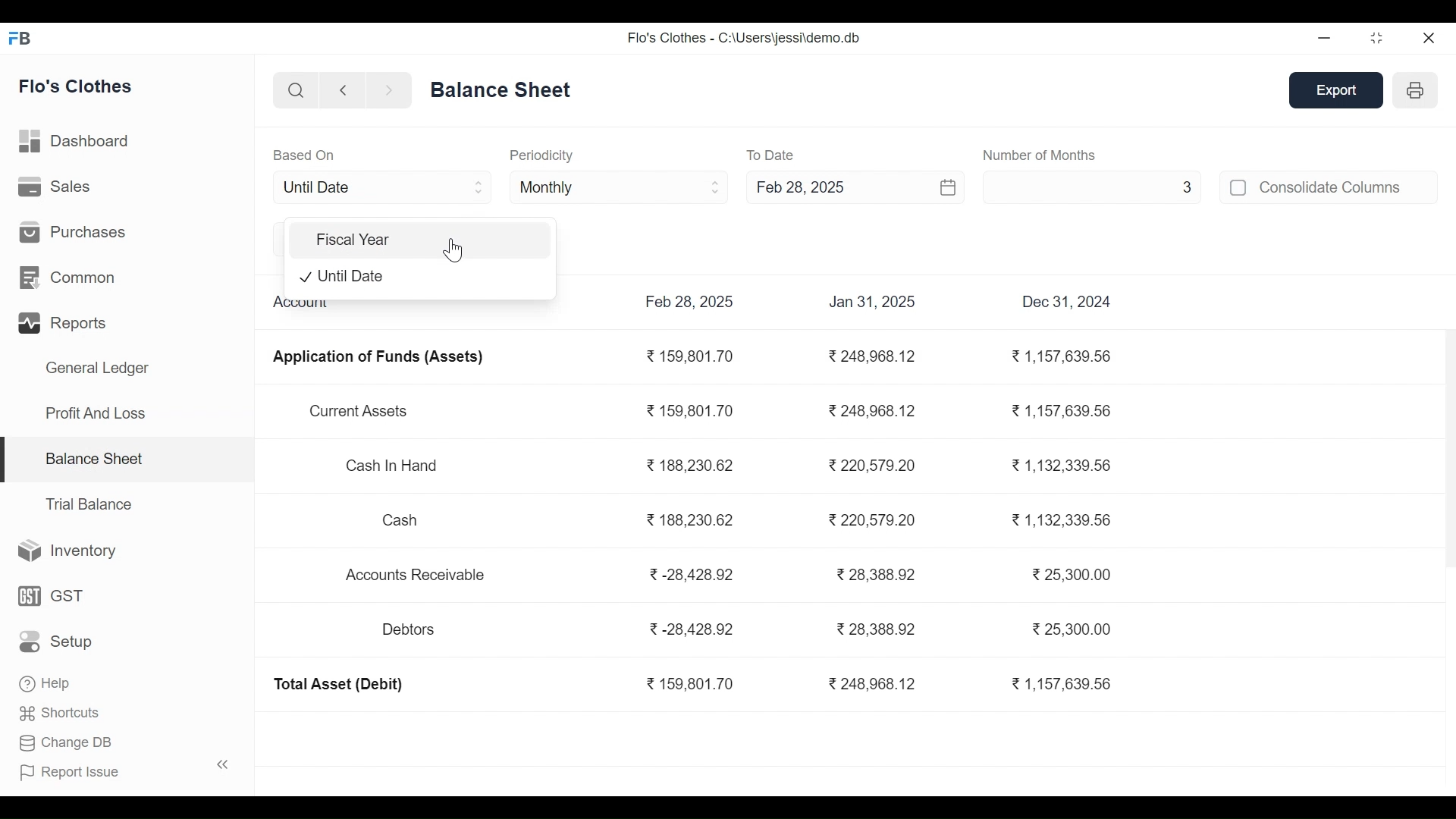  What do you see at coordinates (52, 595) in the screenshot?
I see `gst` at bounding box center [52, 595].